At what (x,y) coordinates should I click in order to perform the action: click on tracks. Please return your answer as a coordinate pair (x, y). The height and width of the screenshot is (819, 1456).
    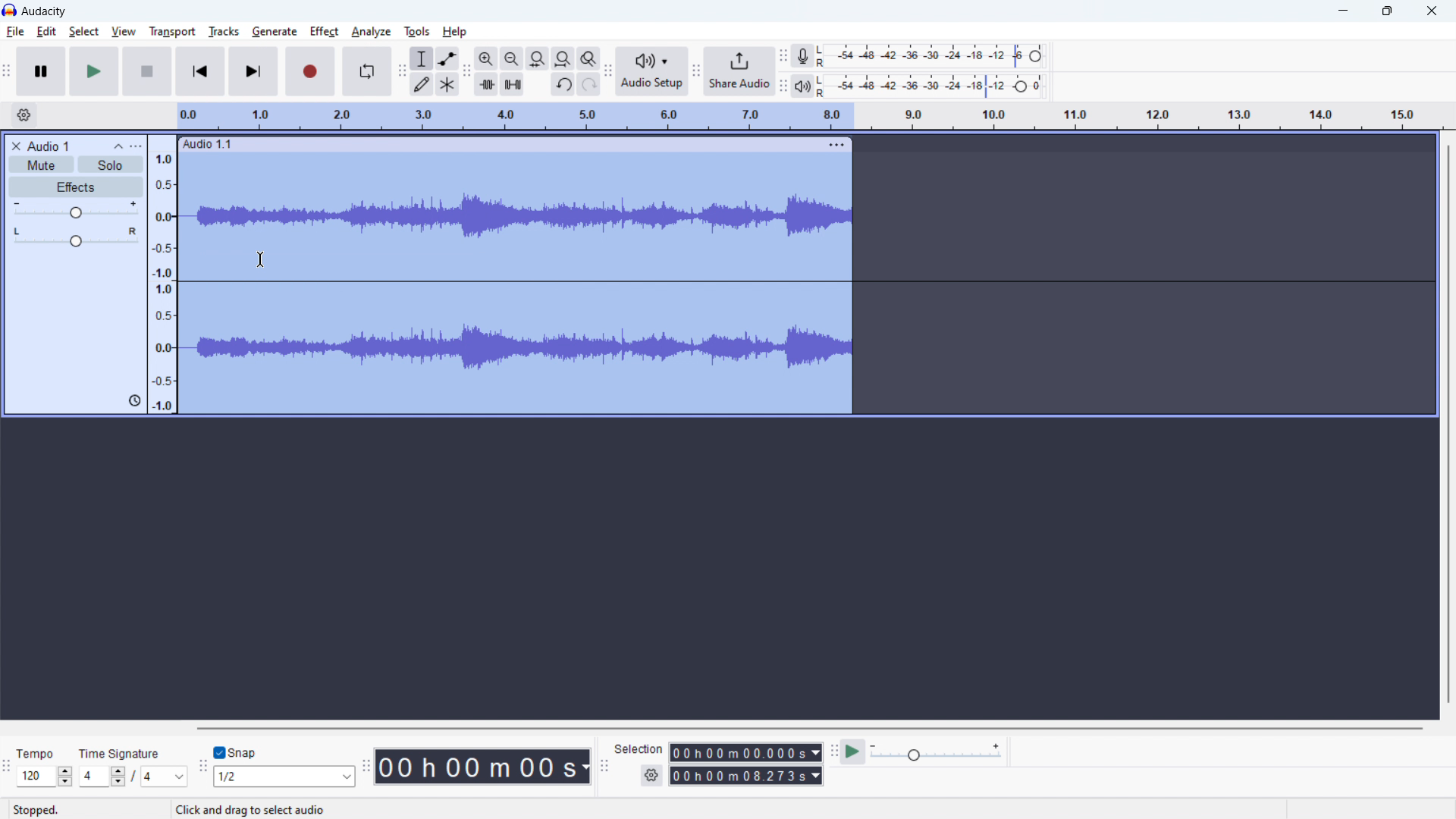
    Looking at the image, I should click on (224, 32).